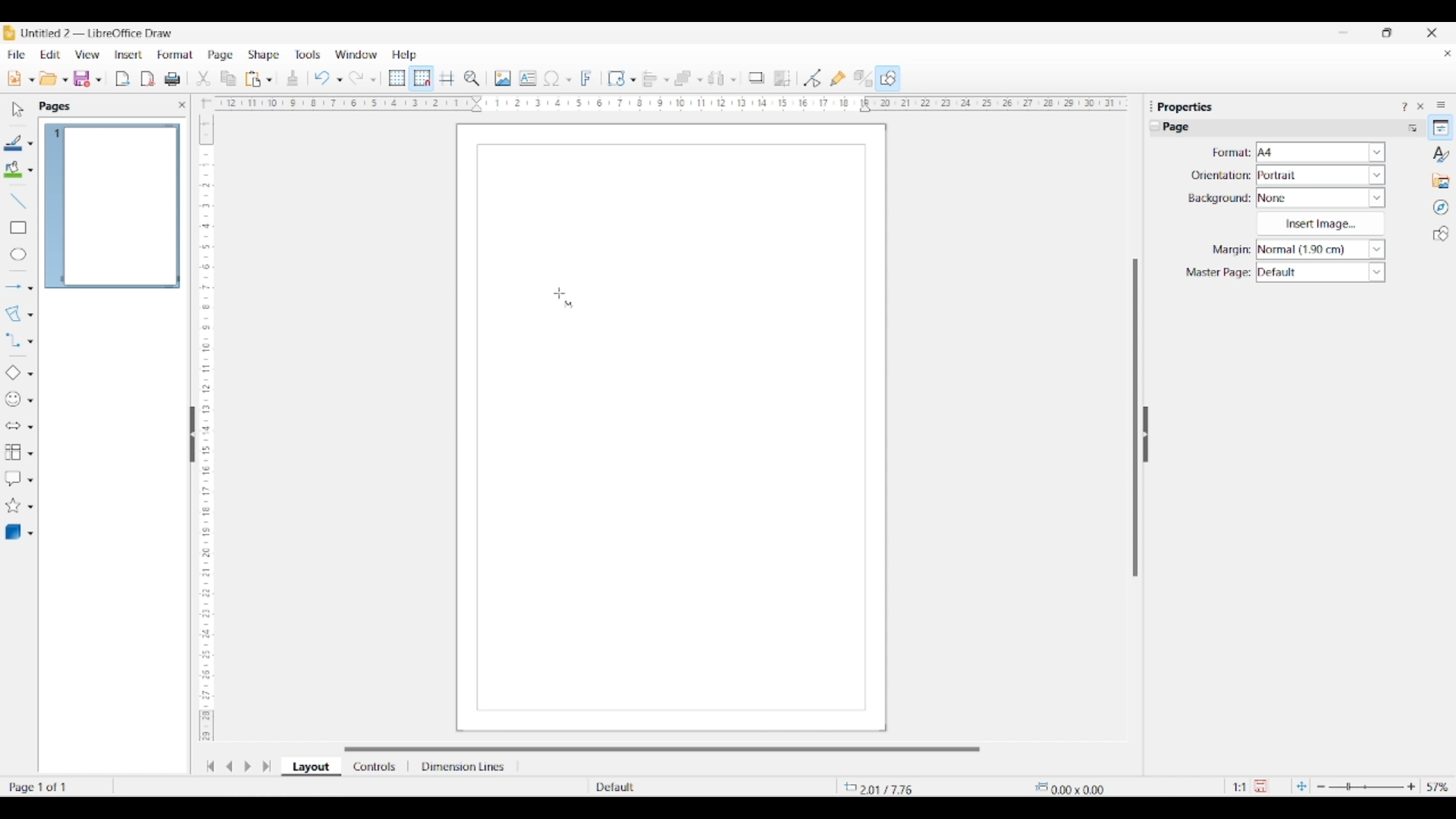 The image size is (1456, 819). What do you see at coordinates (1217, 273) in the screenshot?
I see `Indicates master page settings` at bounding box center [1217, 273].